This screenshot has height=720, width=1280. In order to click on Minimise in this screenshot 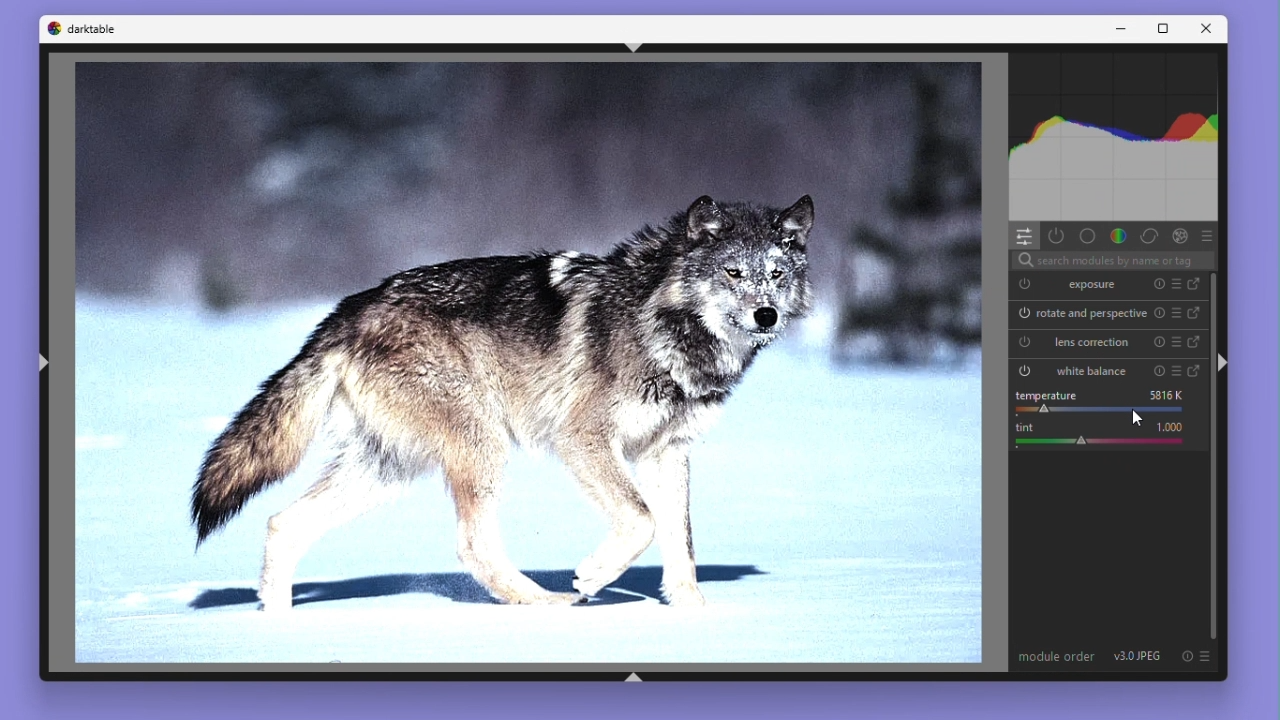, I will do `click(1123, 28)`.